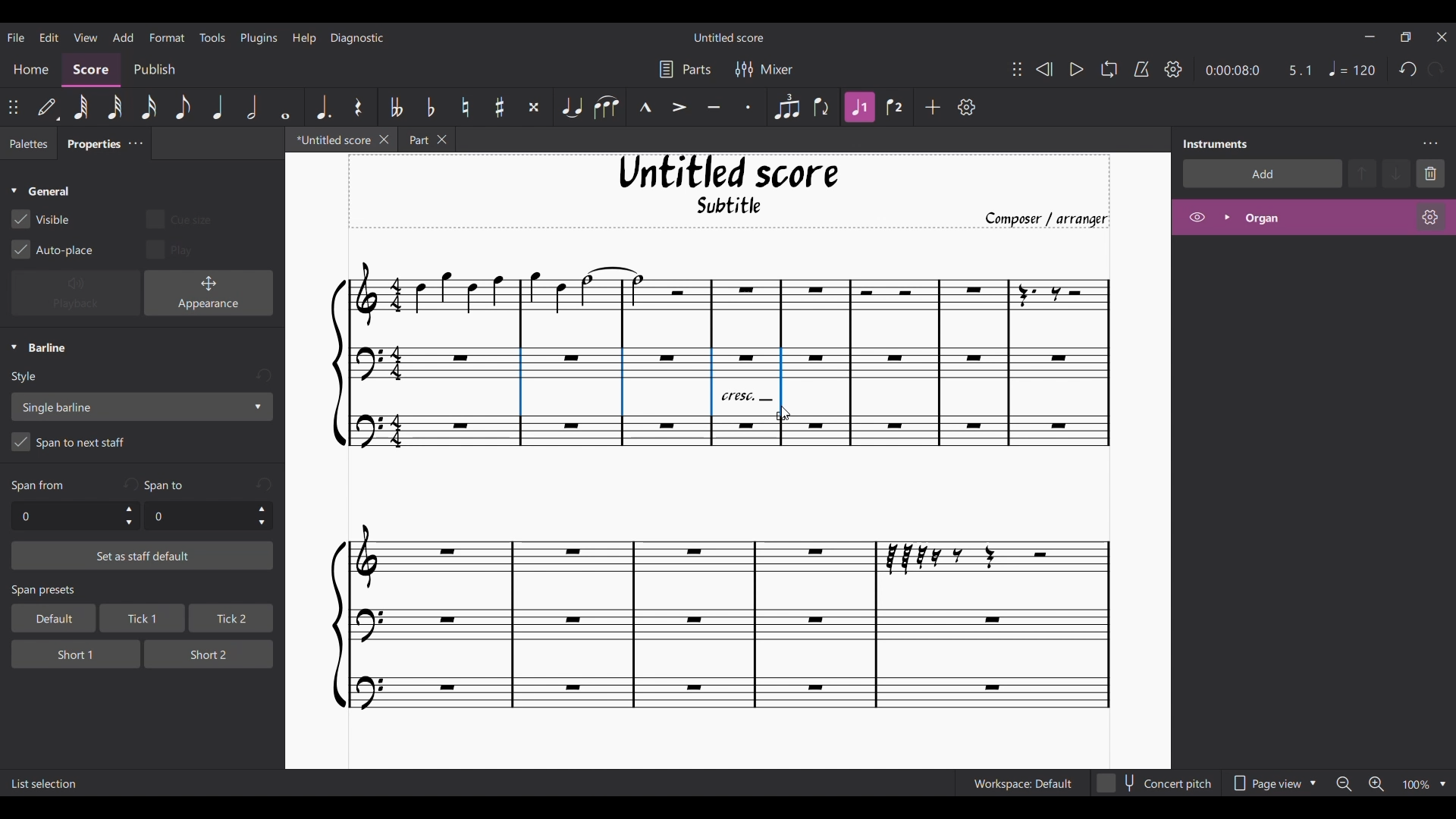  Describe the element at coordinates (80, 108) in the screenshot. I see `64th note` at that location.